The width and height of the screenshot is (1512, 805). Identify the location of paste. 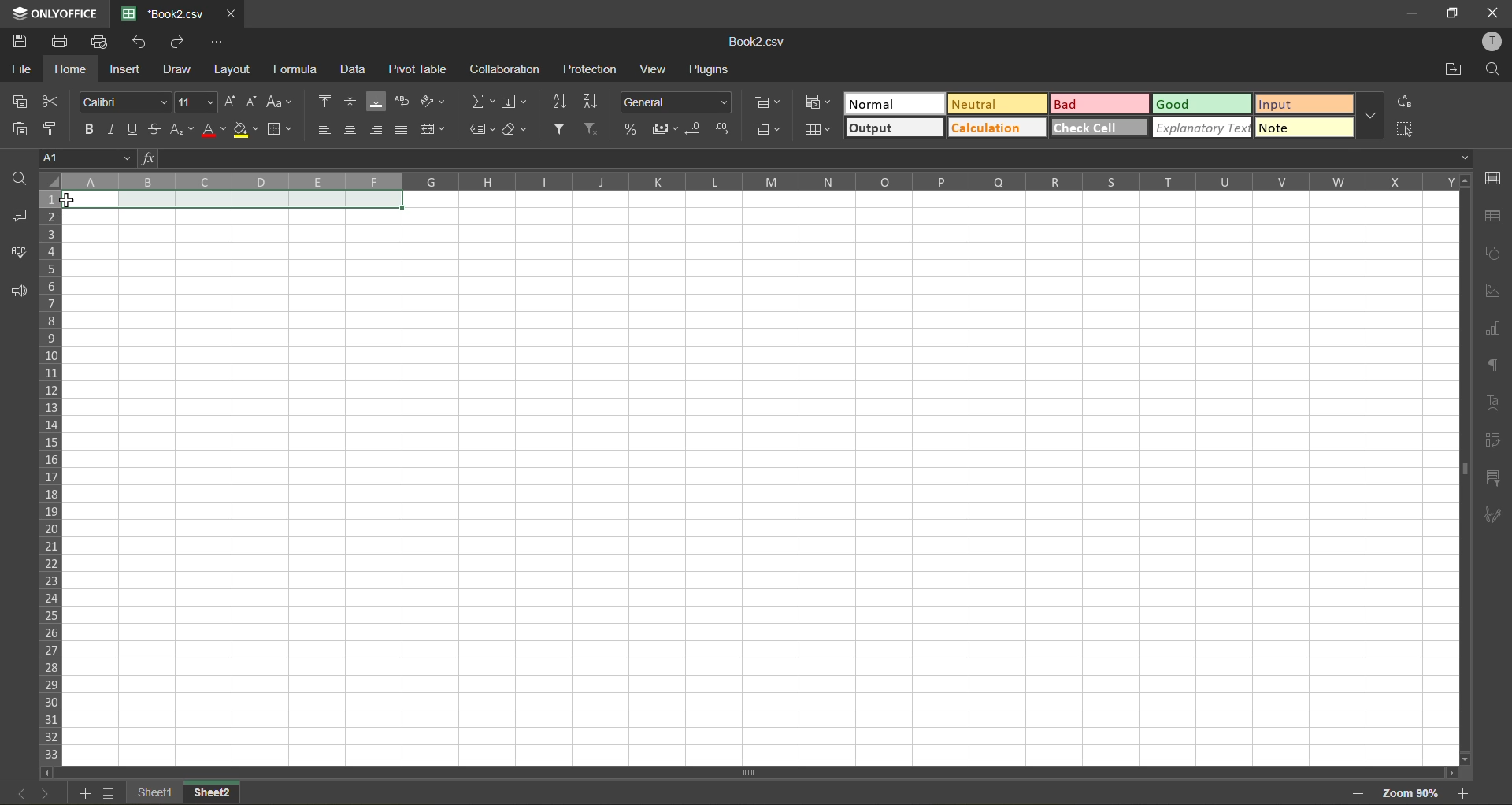
(19, 128).